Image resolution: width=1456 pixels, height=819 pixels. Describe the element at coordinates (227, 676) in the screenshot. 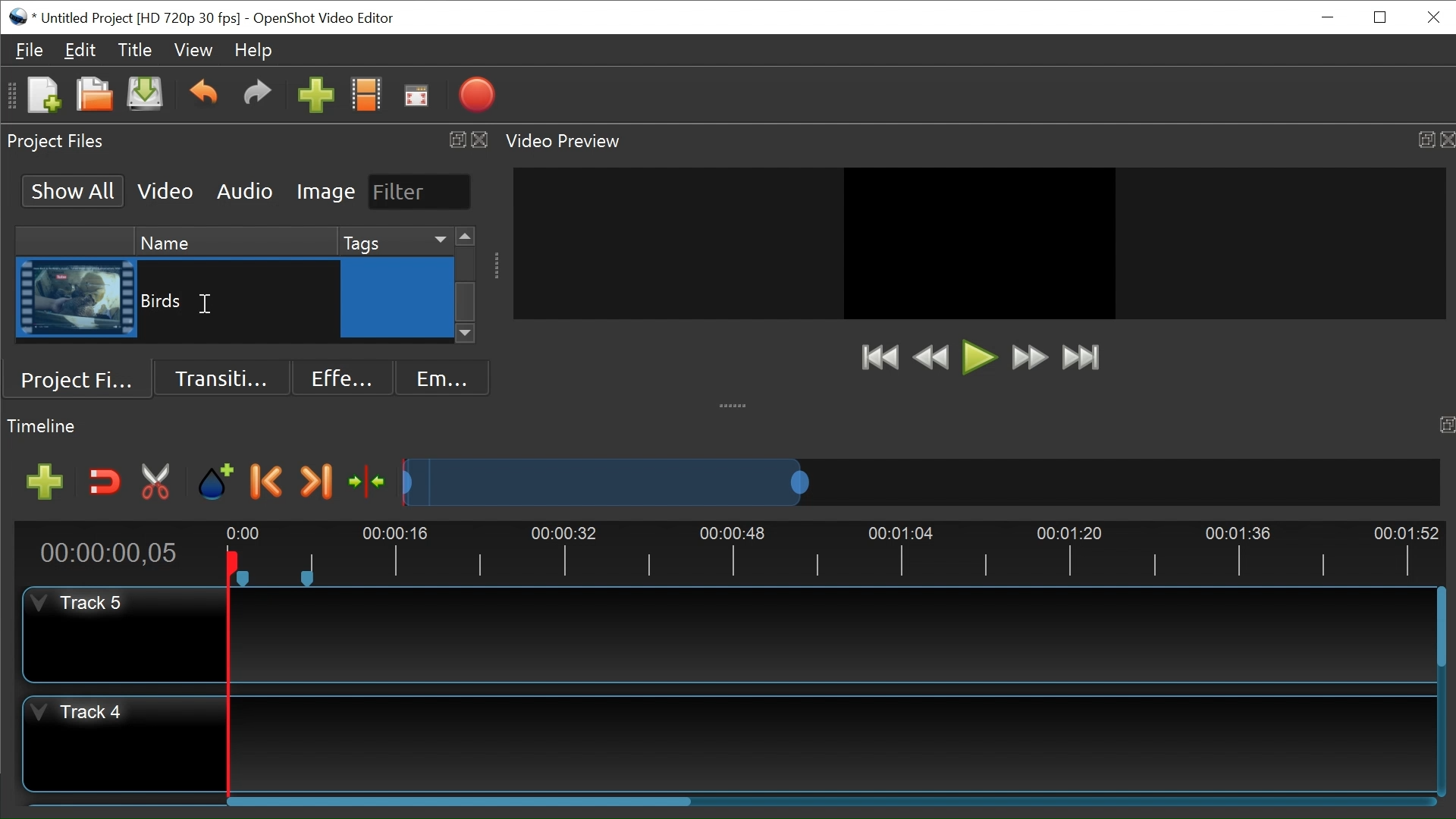

I see `Timeline cursor` at that location.